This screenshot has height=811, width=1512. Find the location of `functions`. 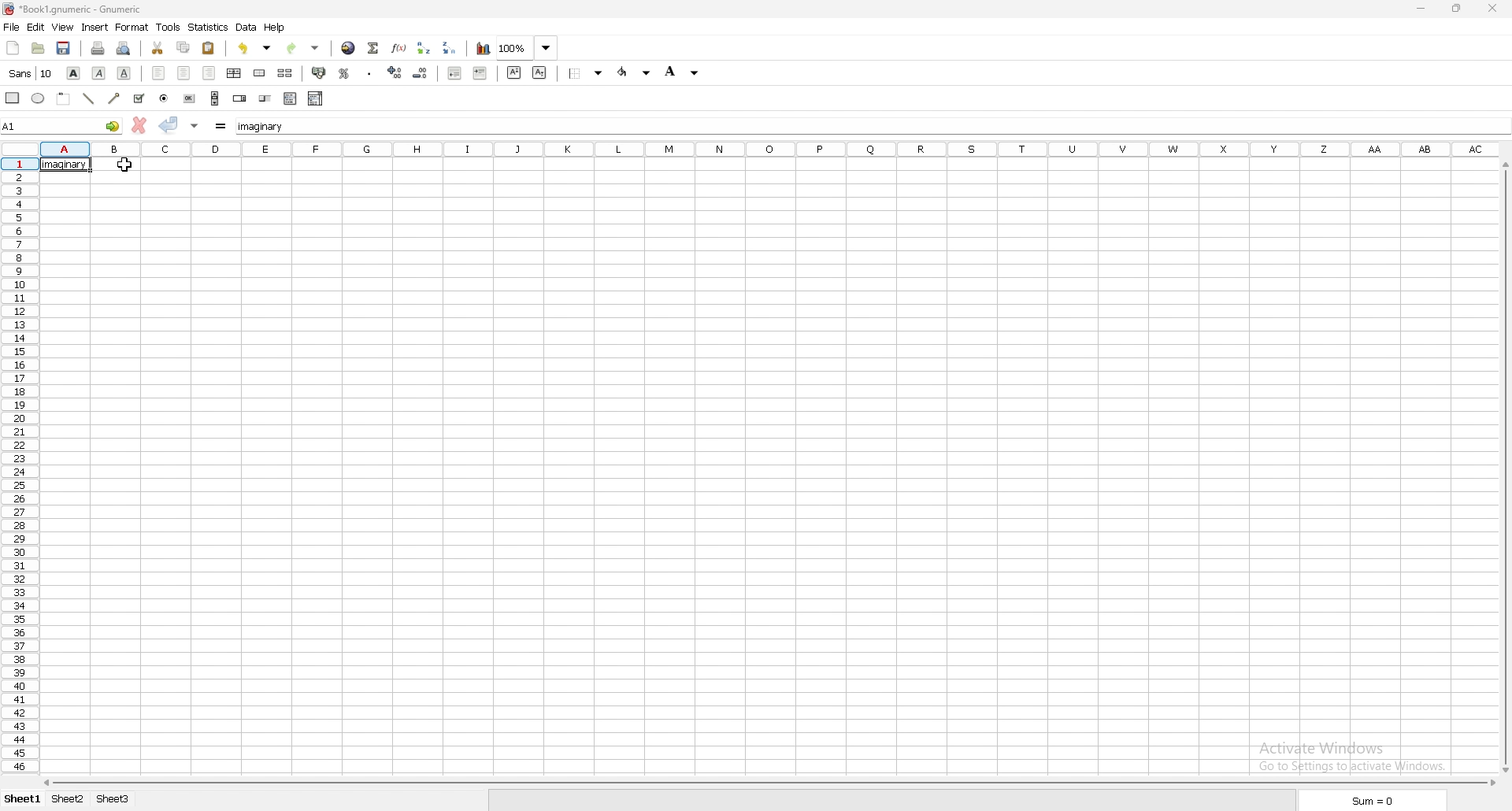

functions is located at coordinates (398, 48).